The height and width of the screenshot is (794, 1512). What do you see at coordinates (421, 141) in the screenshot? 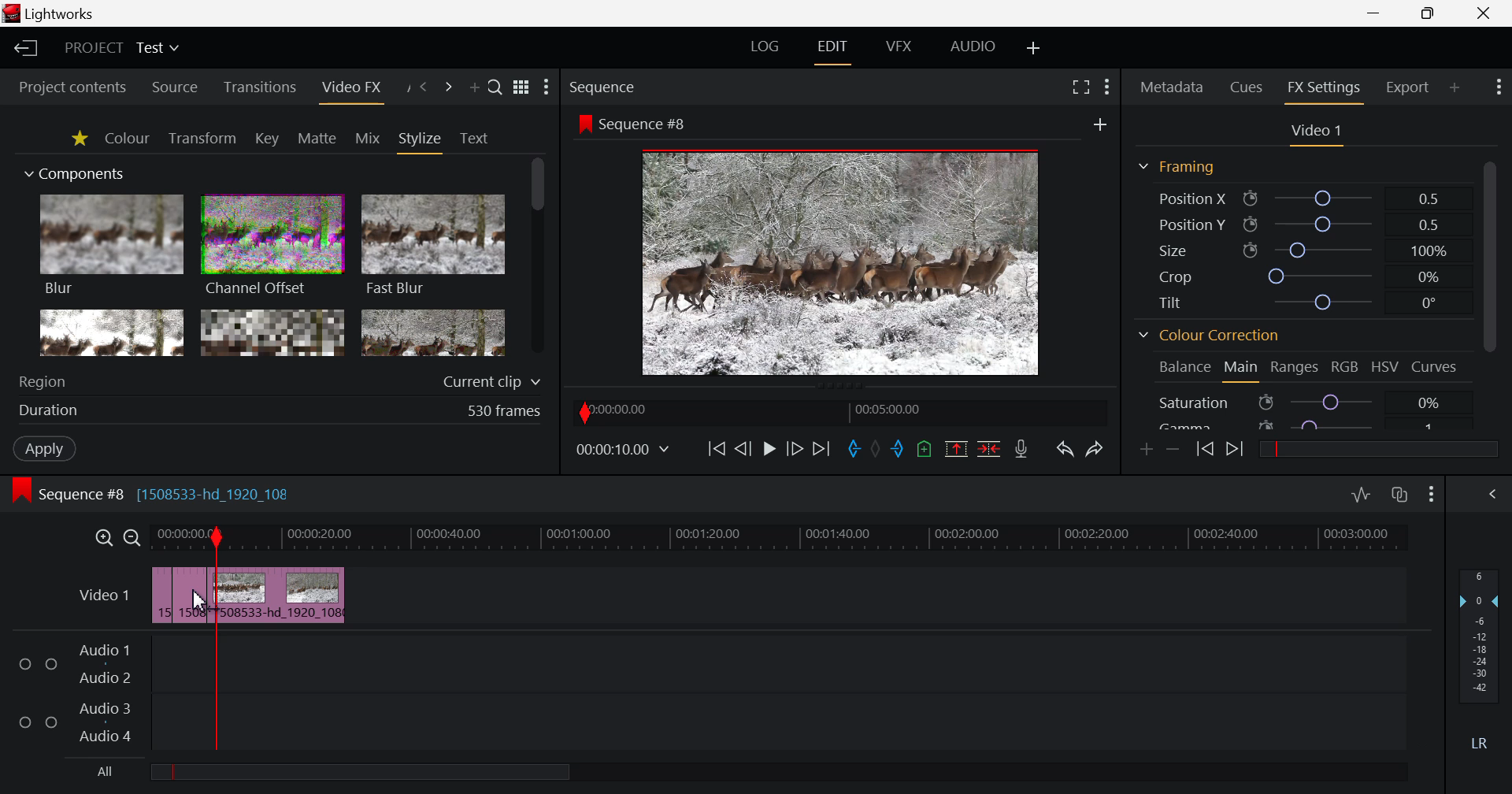
I see `Stylize` at bounding box center [421, 141].